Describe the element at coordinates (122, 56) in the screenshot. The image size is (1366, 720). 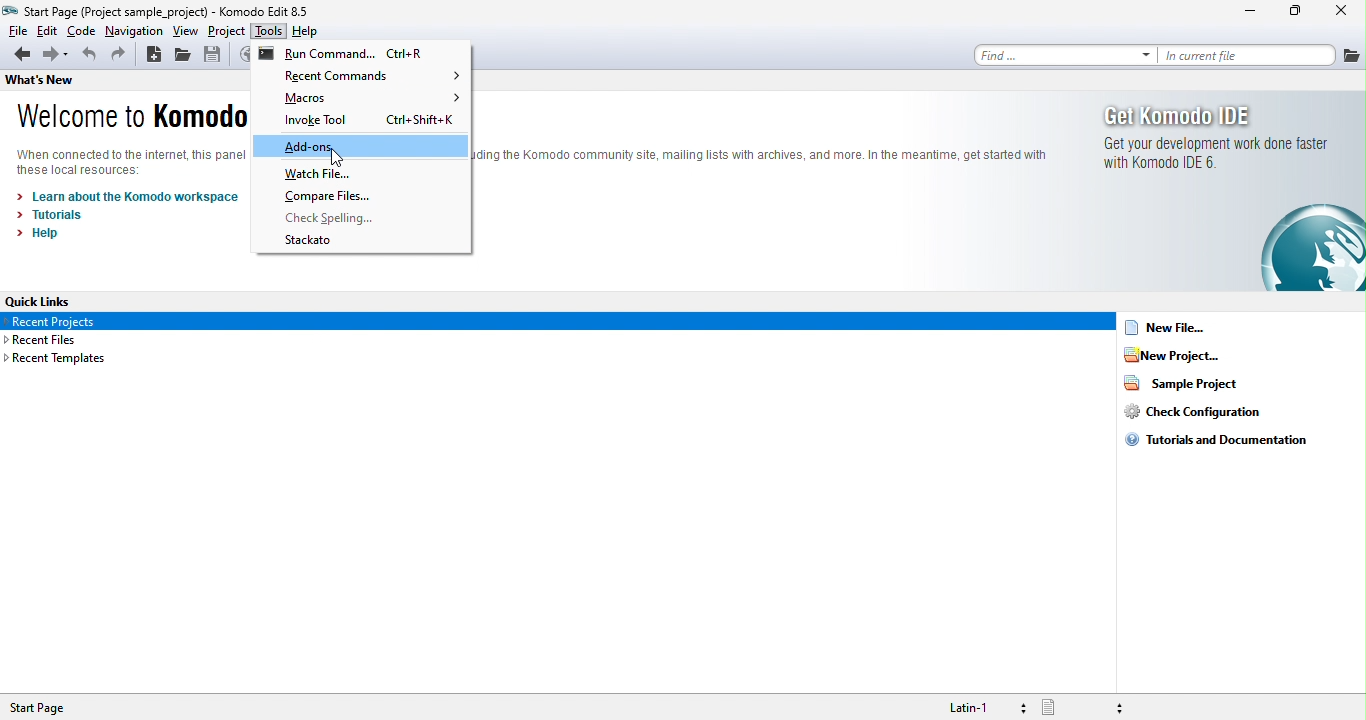
I see `redo` at that location.